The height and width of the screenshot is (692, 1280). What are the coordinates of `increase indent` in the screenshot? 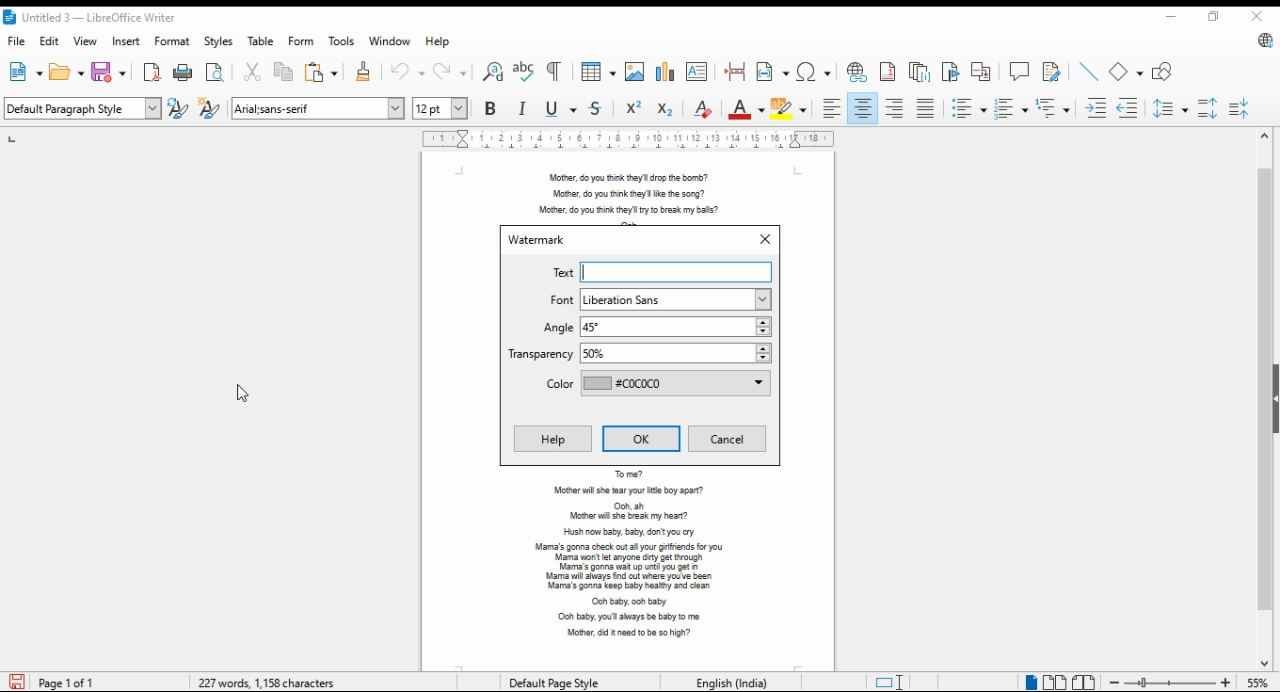 It's located at (1095, 108).